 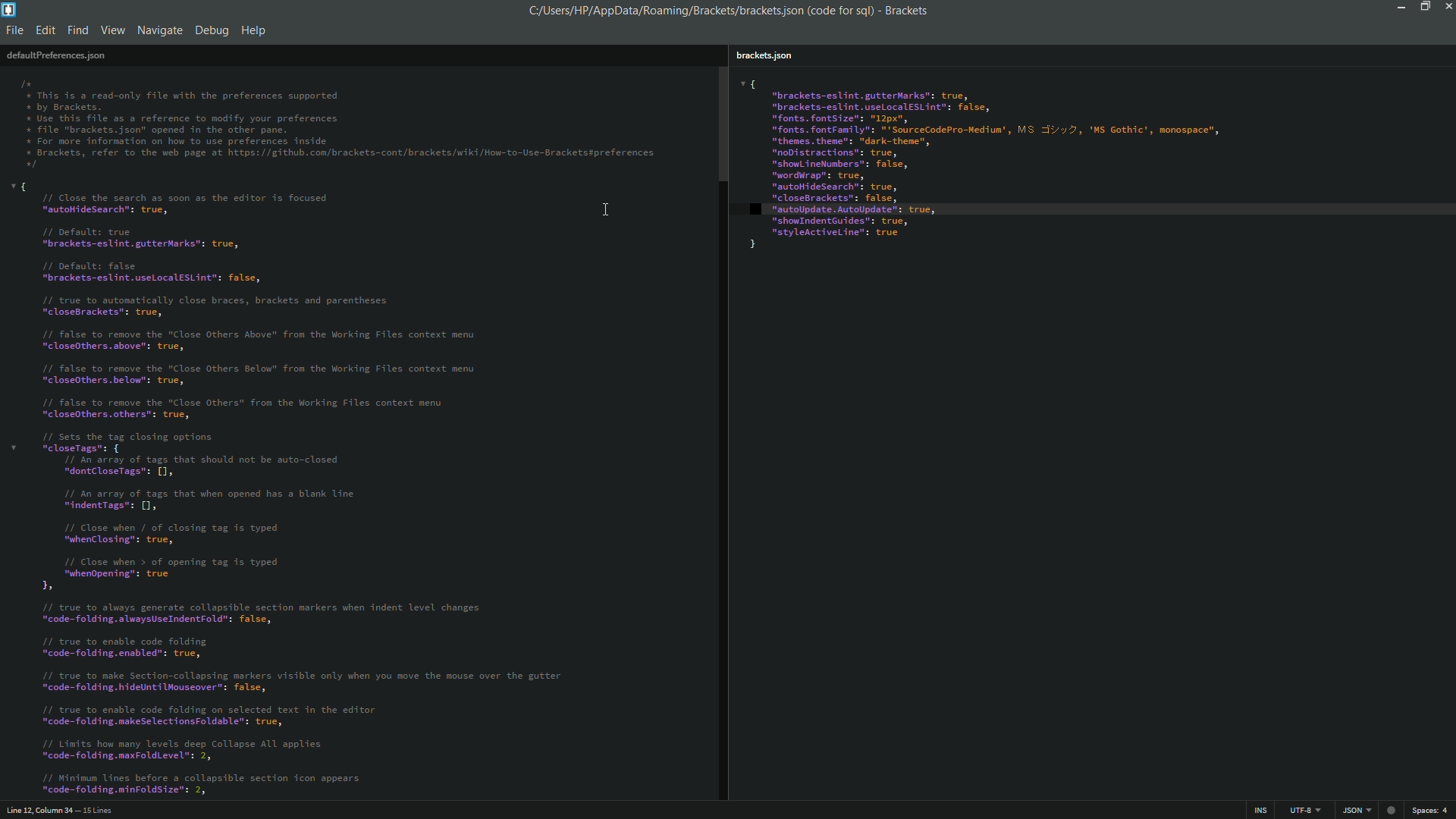 I want to click on scrollbar, so click(x=721, y=123).